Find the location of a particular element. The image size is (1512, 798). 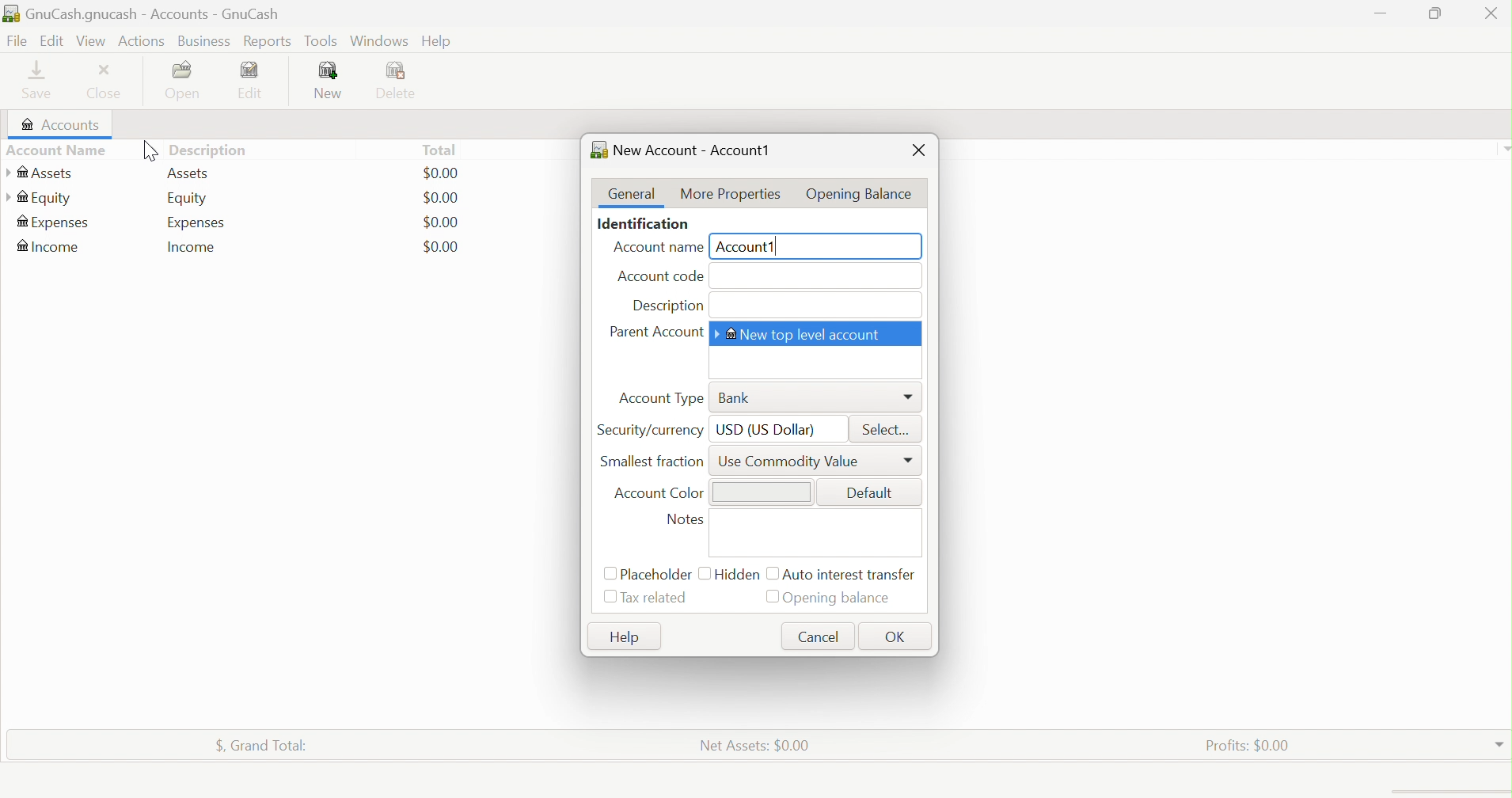

Account name is located at coordinates (654, 249).